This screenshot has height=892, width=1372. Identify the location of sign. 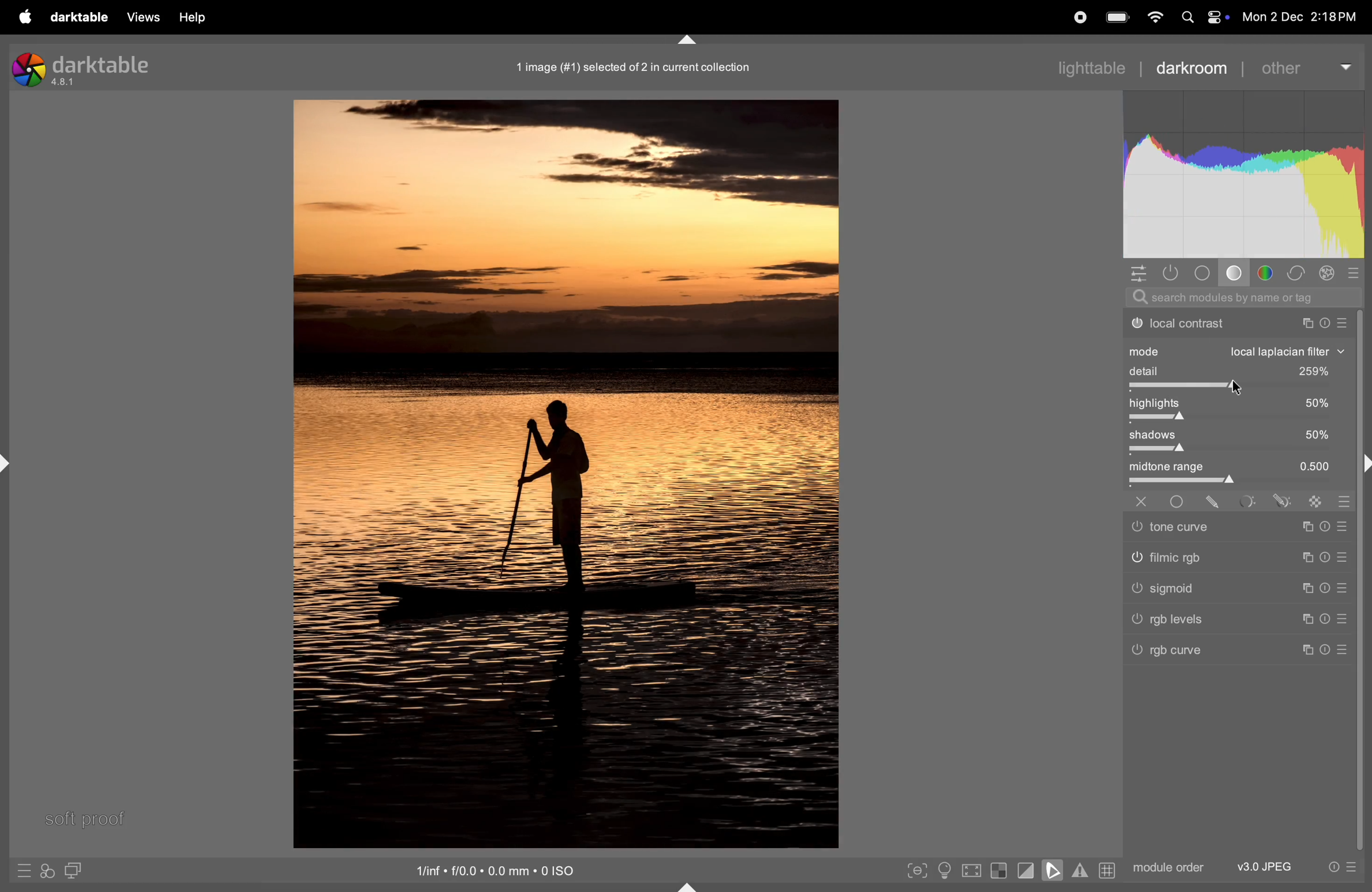
(1344, 504).